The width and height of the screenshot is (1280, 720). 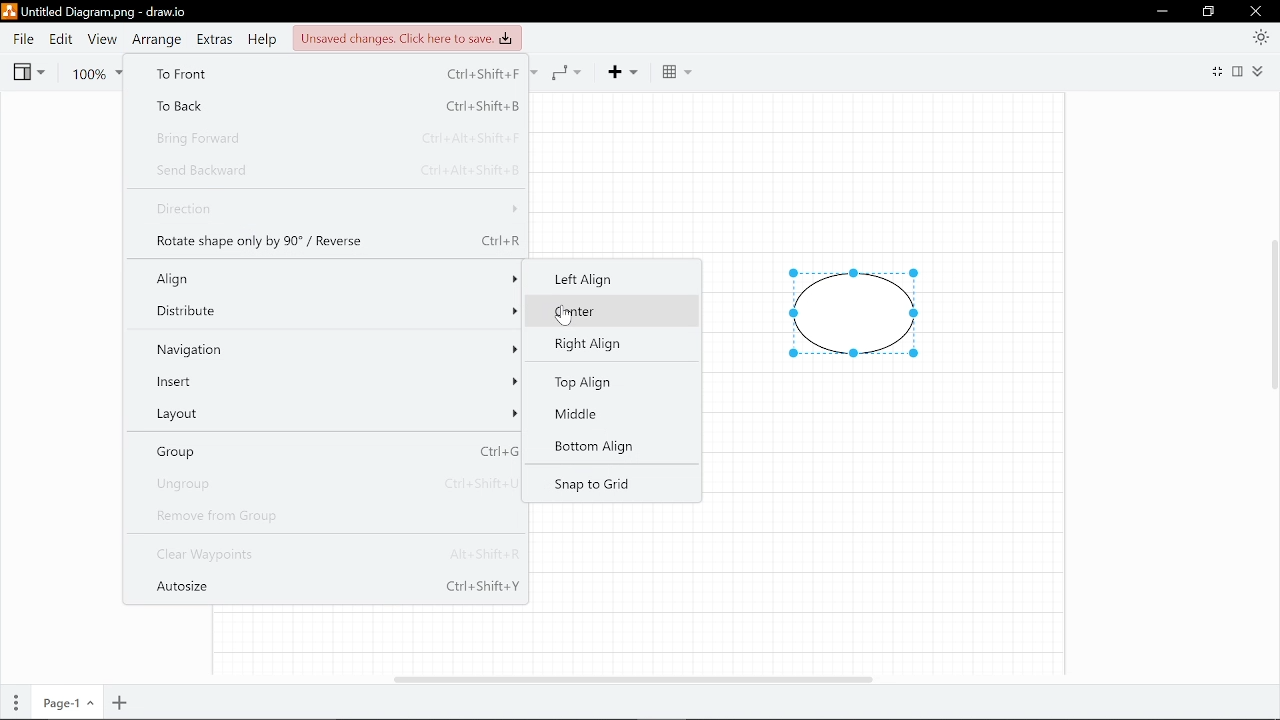 What do you see at coordinates (1209, 12) in the screenshot?
I see `Restore down` at bounding box center [1209, 12].